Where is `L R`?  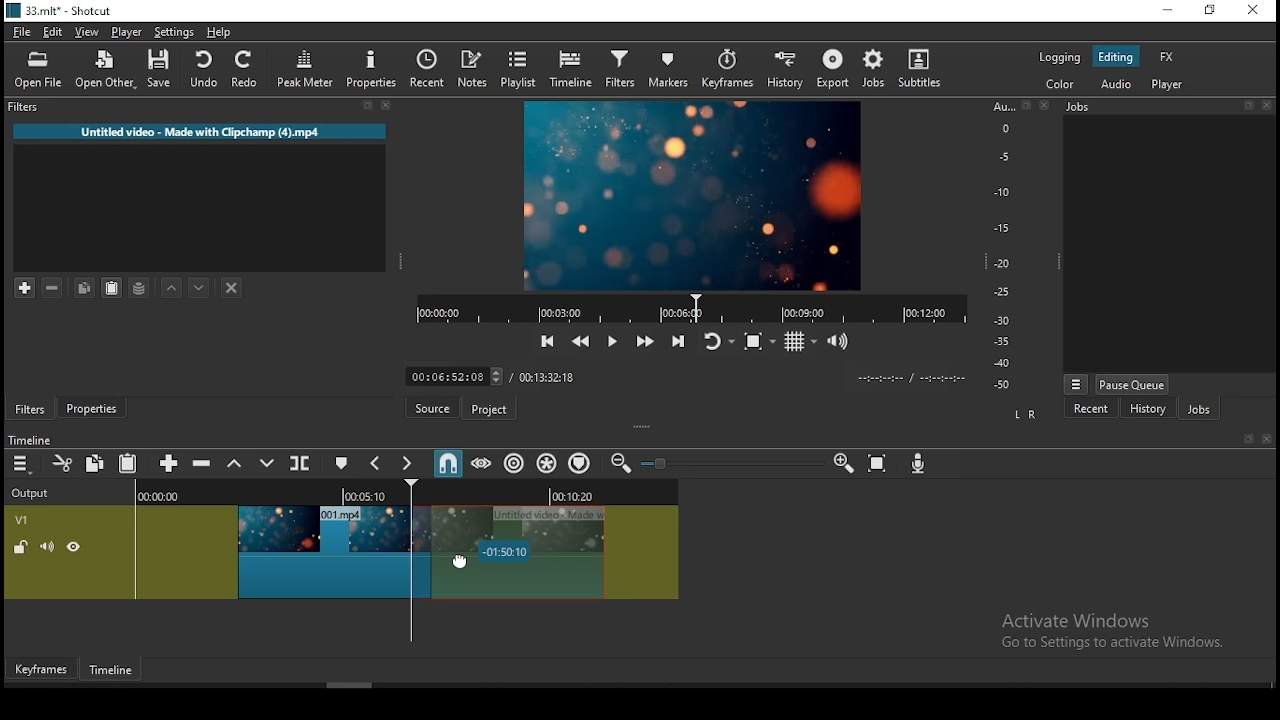
L R is located at coordinates (1023, 413).